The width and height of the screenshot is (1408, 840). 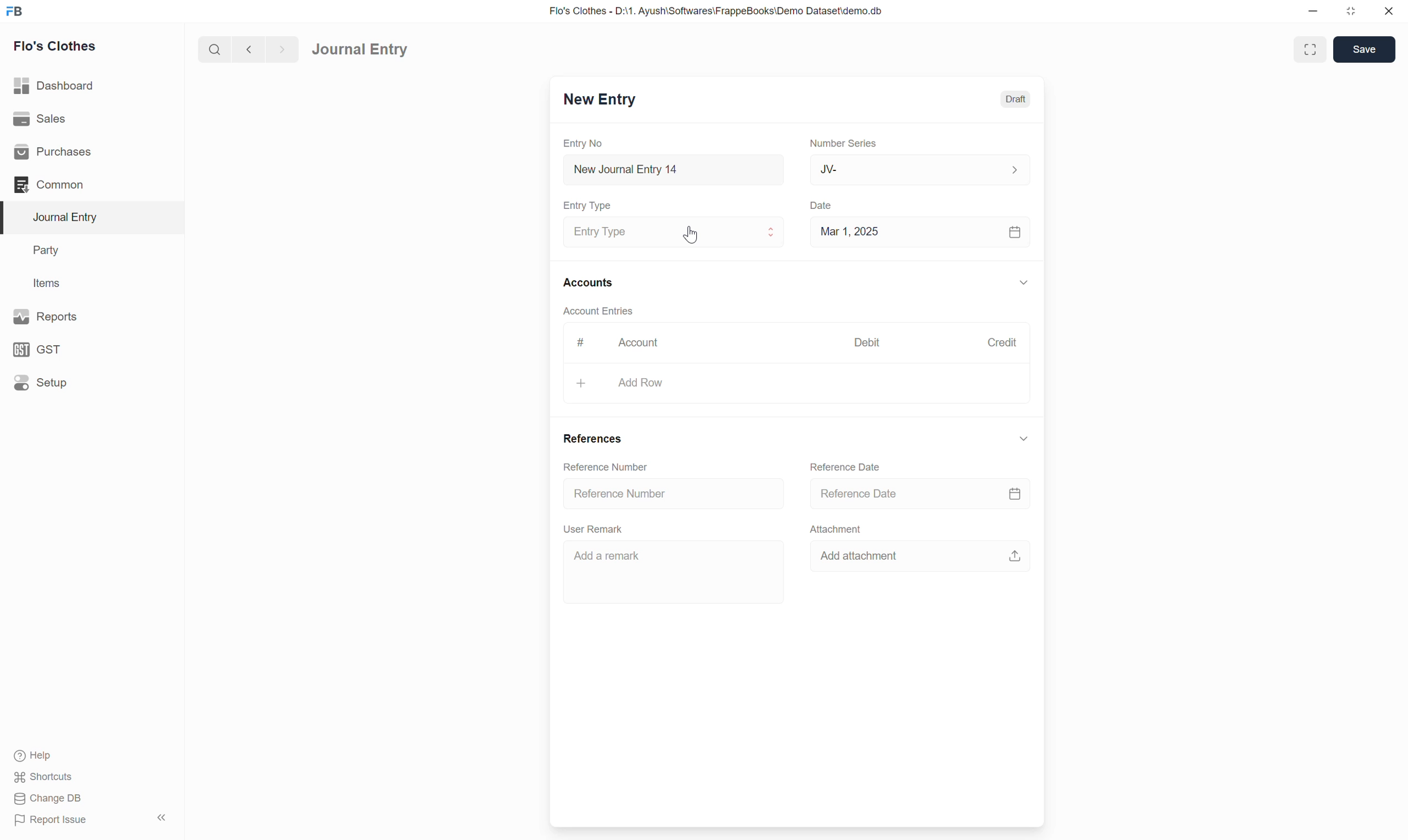 What do you see at coordinates (824, 206) in the screenshot?
I see `Date` at bounding box center [824, 206].